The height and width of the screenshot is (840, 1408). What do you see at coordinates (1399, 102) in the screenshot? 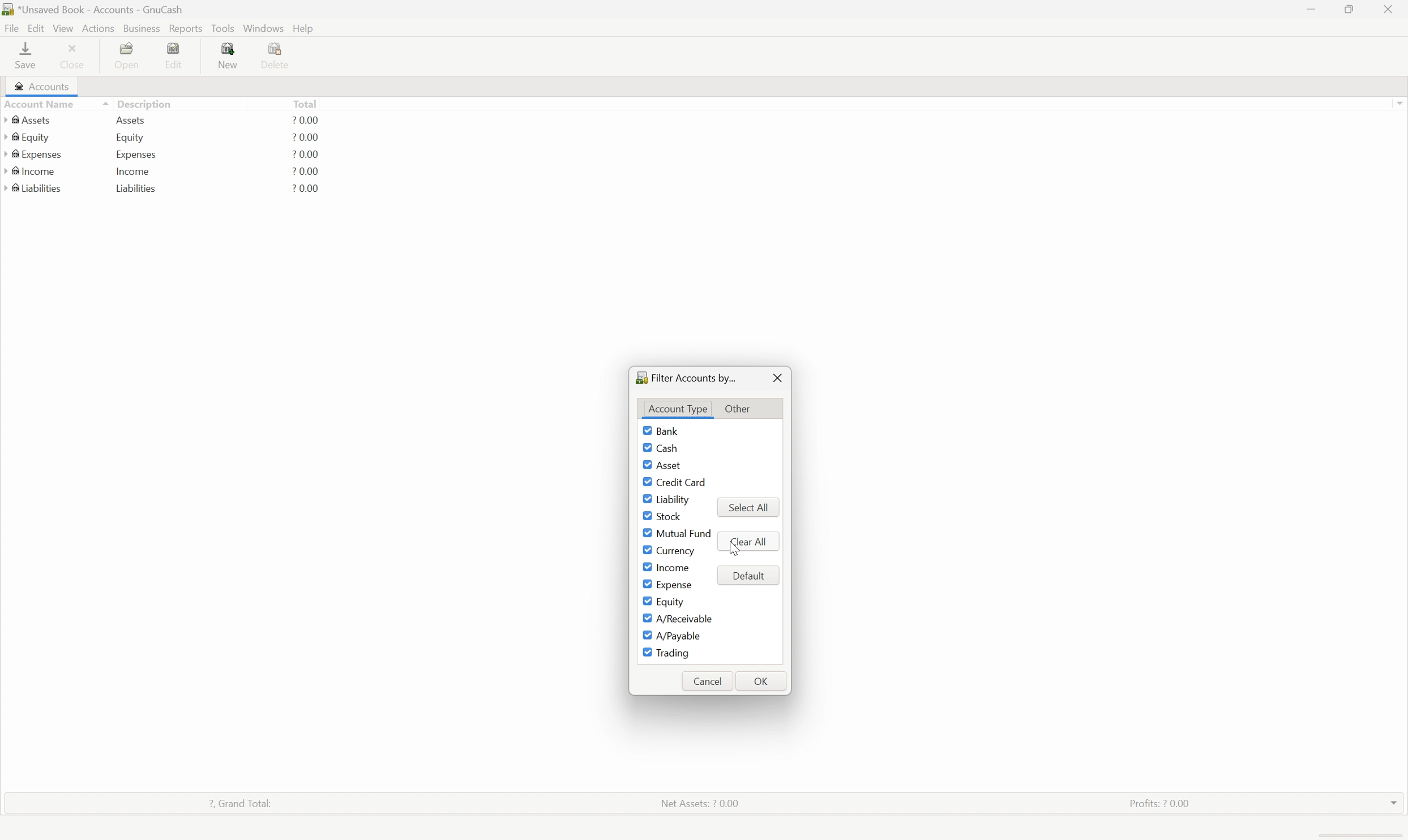
I see `Scroll up` at bounding box center [1399, 102].